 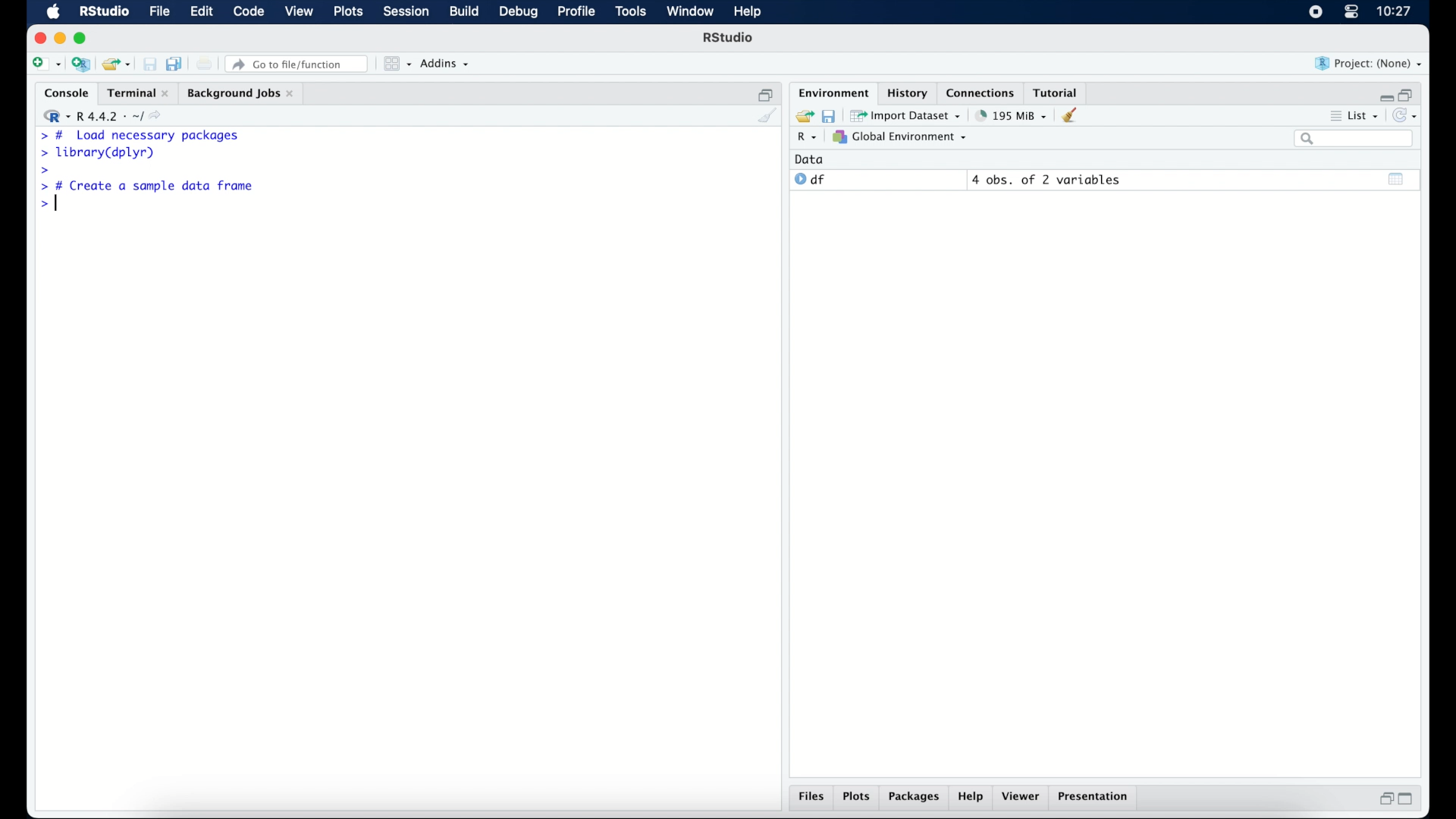 I want to click on minimize, so click(x=60, y=38).